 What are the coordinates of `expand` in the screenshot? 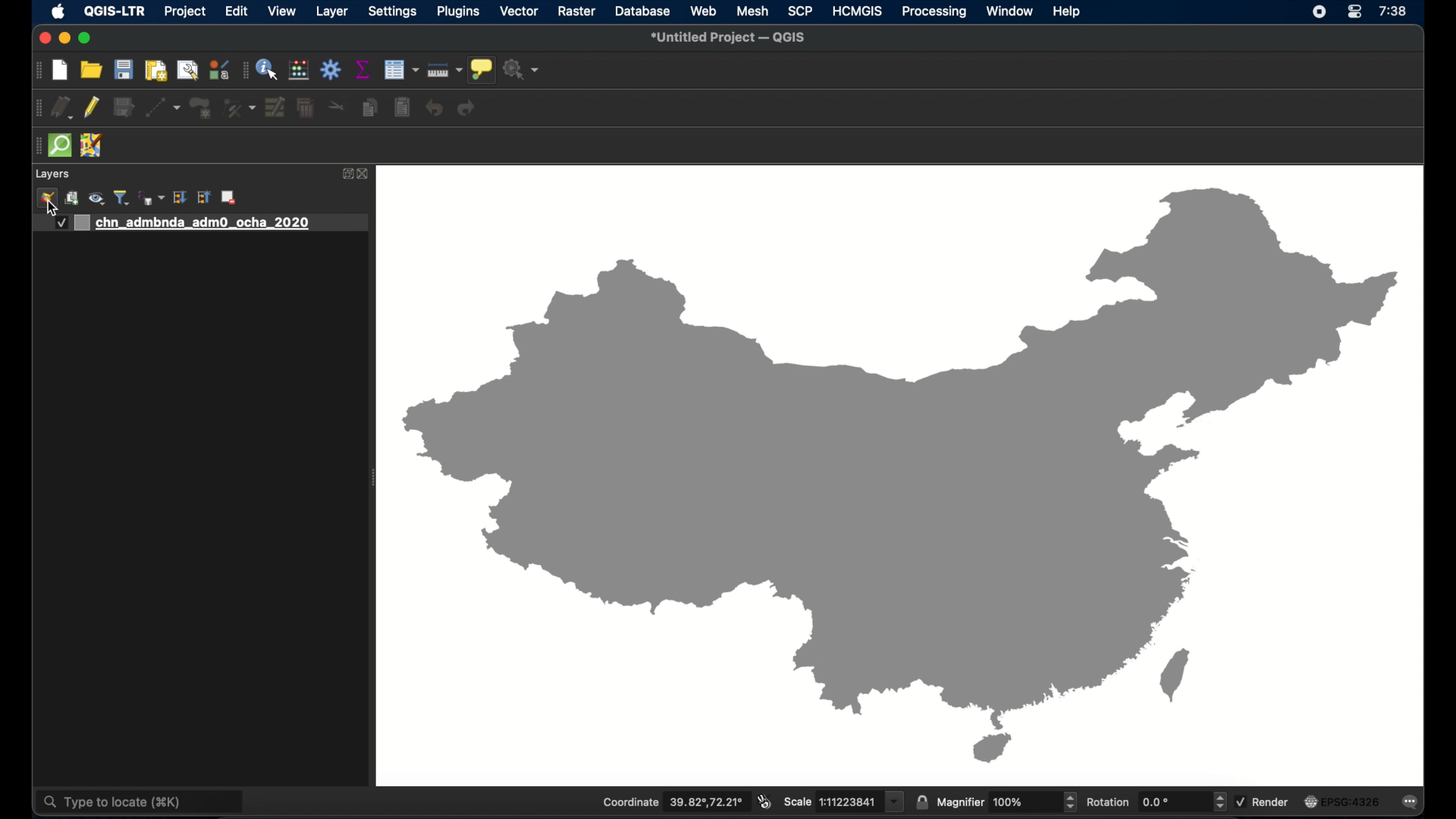 It's located at (347, 173).